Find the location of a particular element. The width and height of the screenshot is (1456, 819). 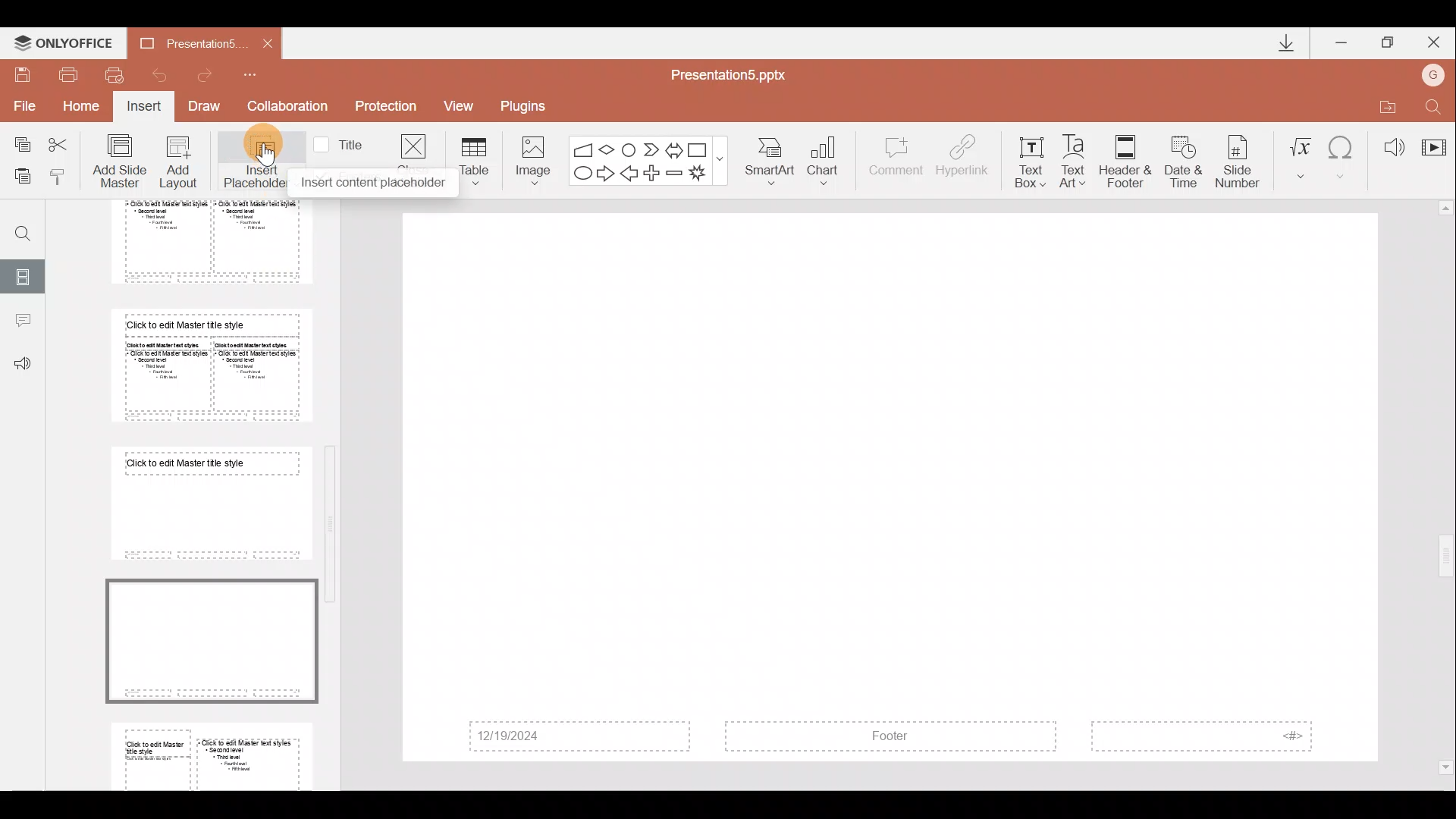

Header & footer is located at coordinates (1125, 161).